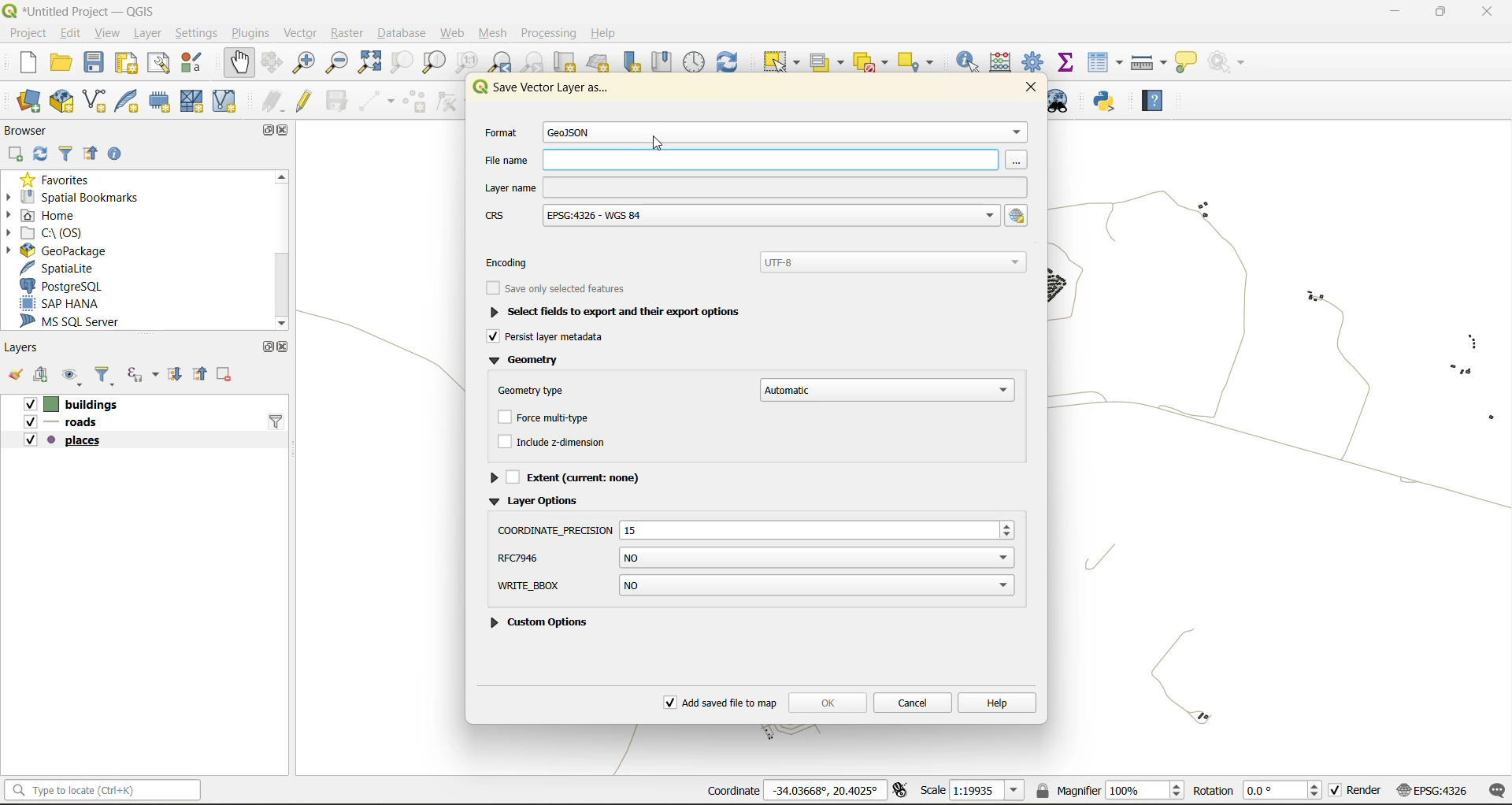  What do you see at coordinates (756, 587) in the screenshot?
I see `write bbox` at bounding box center [756, 587].